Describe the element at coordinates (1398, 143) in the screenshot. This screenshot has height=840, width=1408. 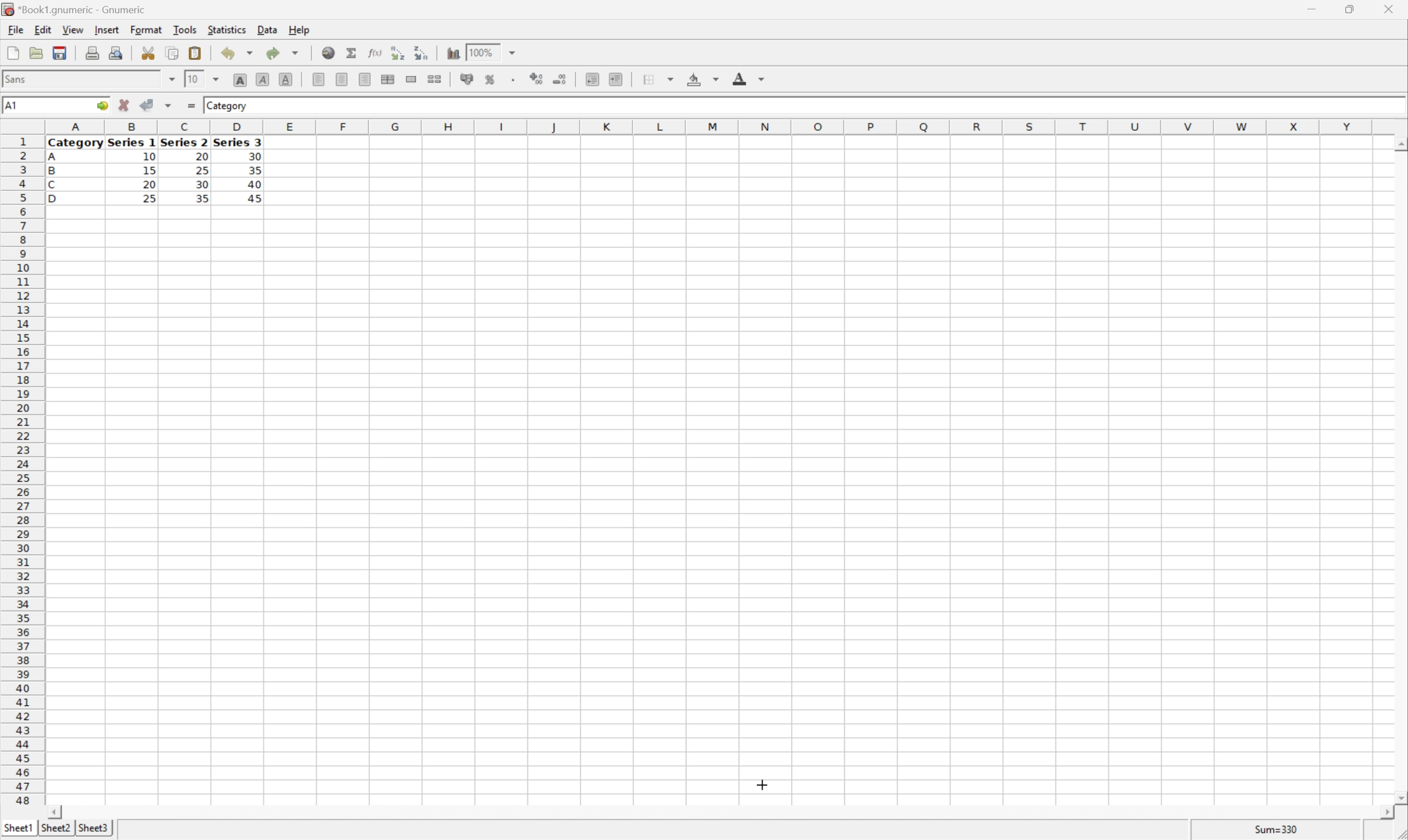
I see `Scroll Up` at that location.